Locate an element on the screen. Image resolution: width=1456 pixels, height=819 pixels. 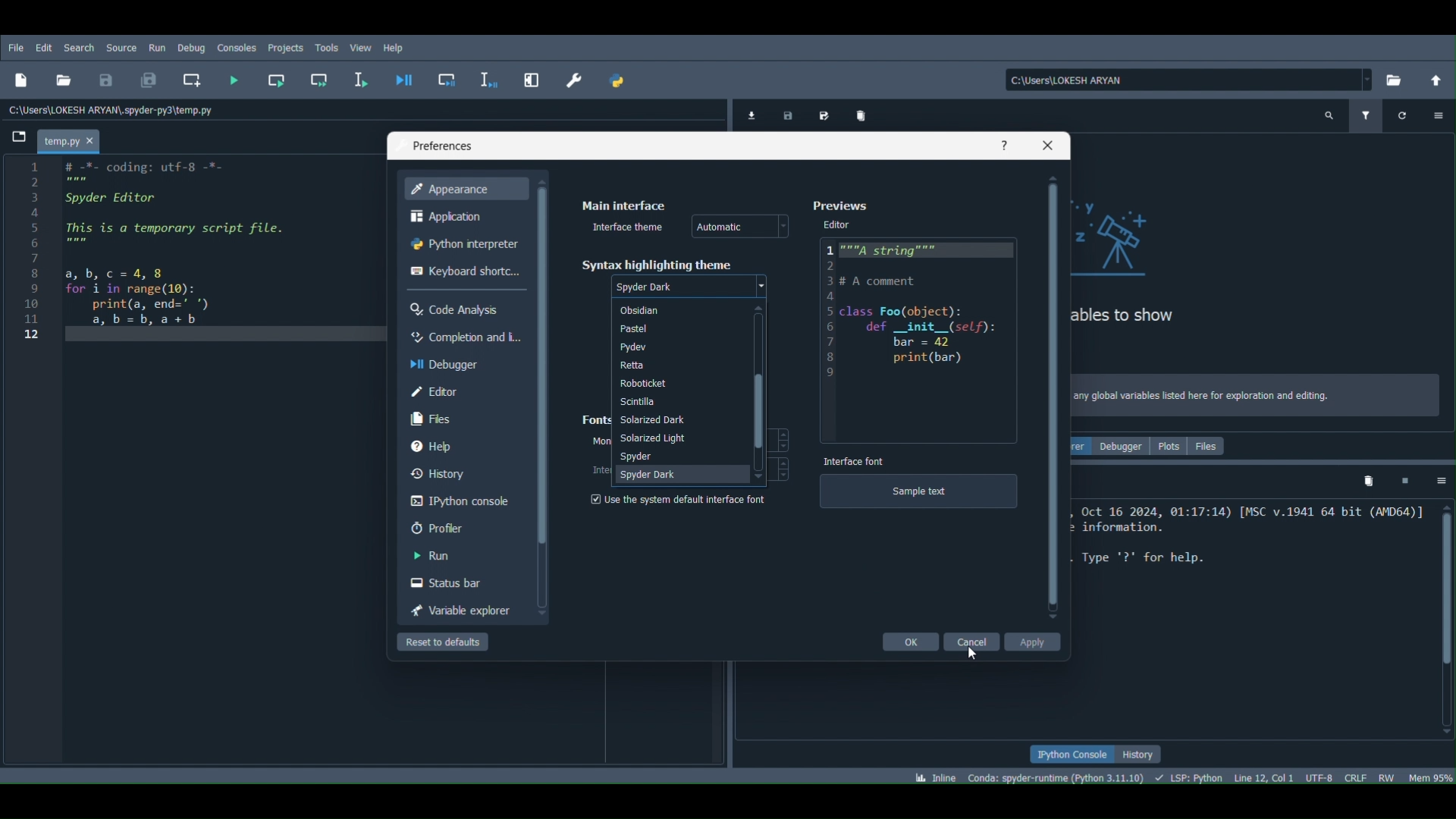
Automatic is located at coordinates (723, 227).